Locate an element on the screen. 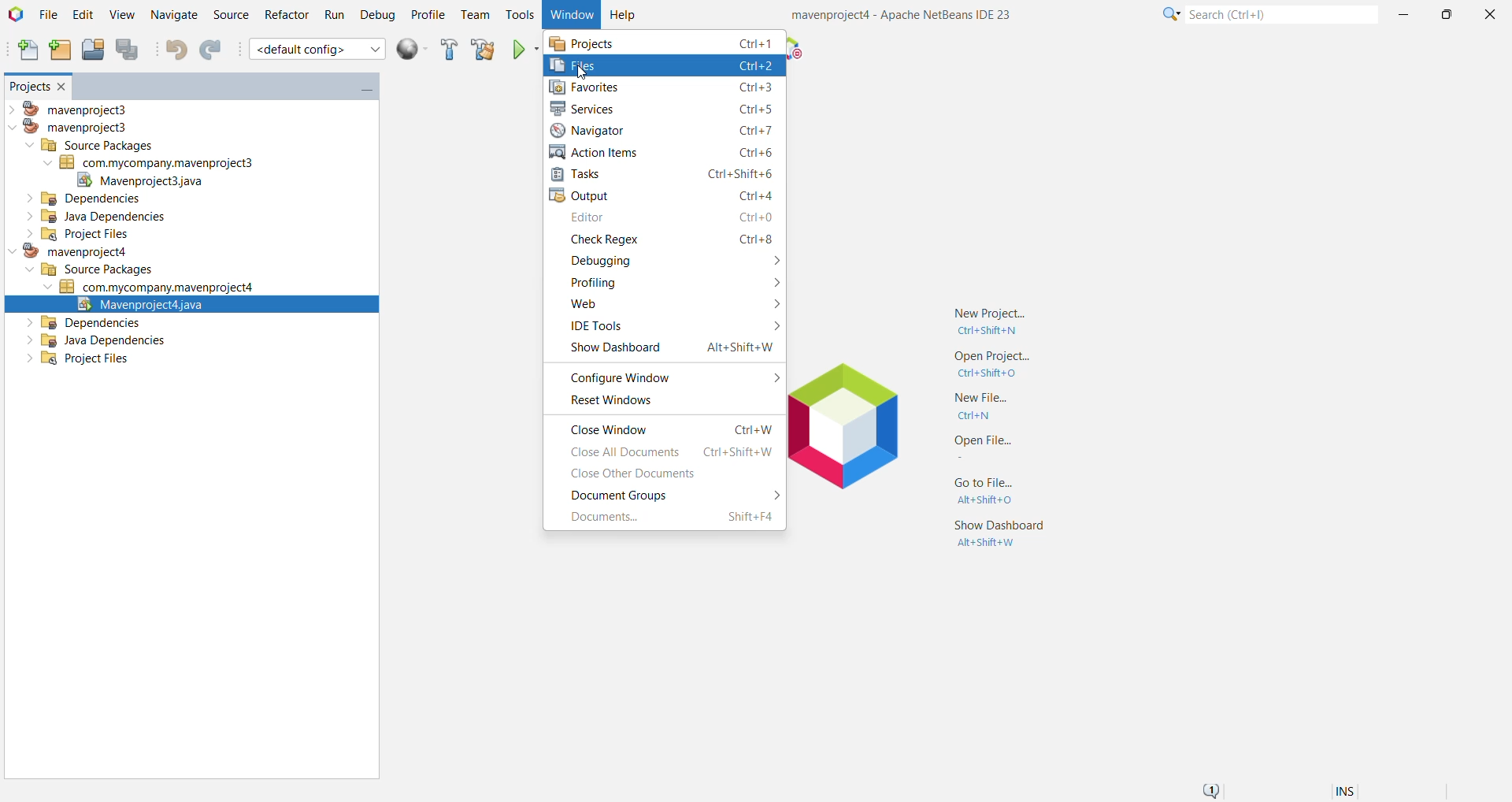 Image resolution: width=1512 pixels, height=802 pixels. Application Name and Version is located at coordinates (903, 16).